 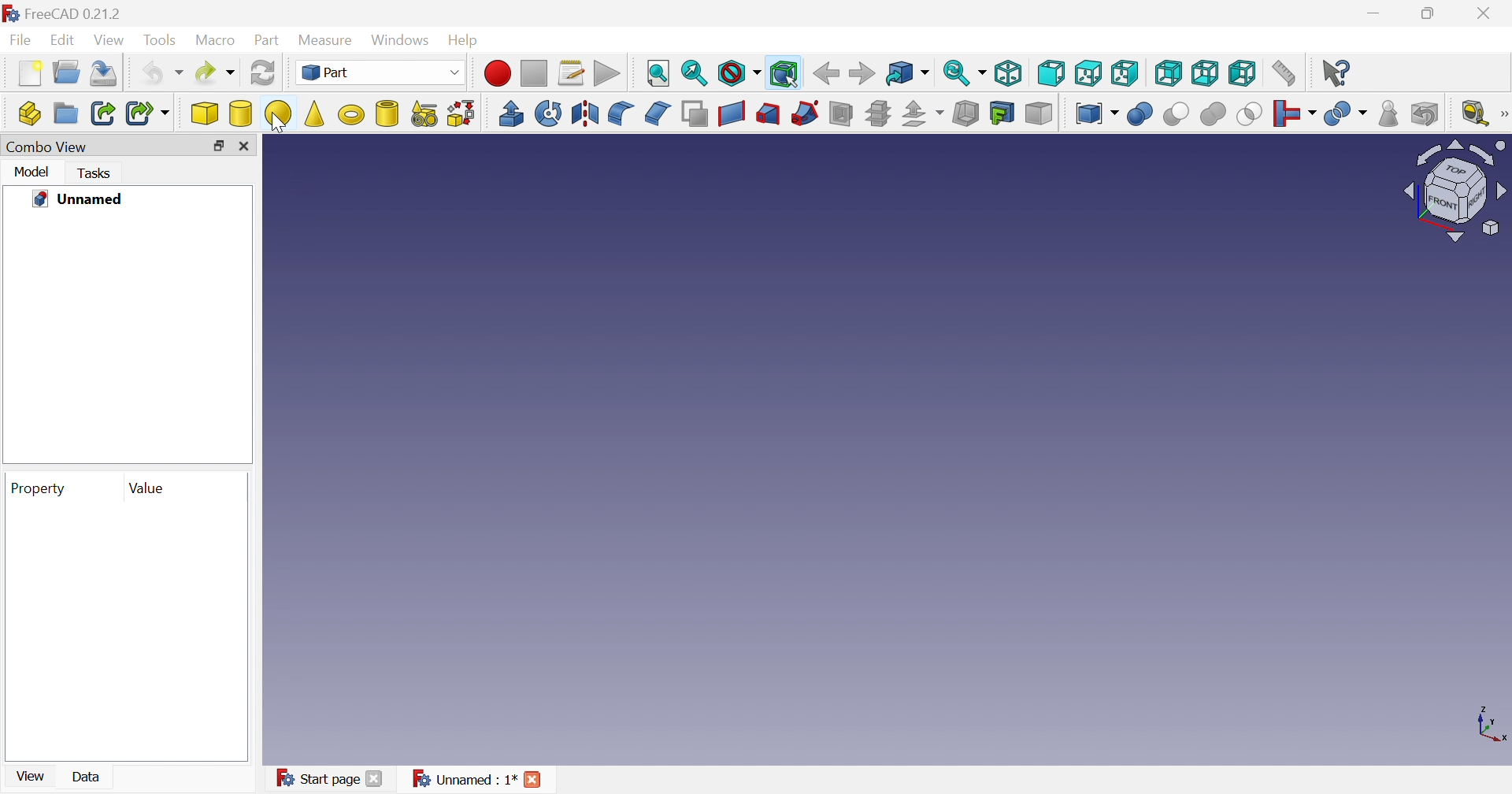 I want to click on preview, so click(x=124, y=336).